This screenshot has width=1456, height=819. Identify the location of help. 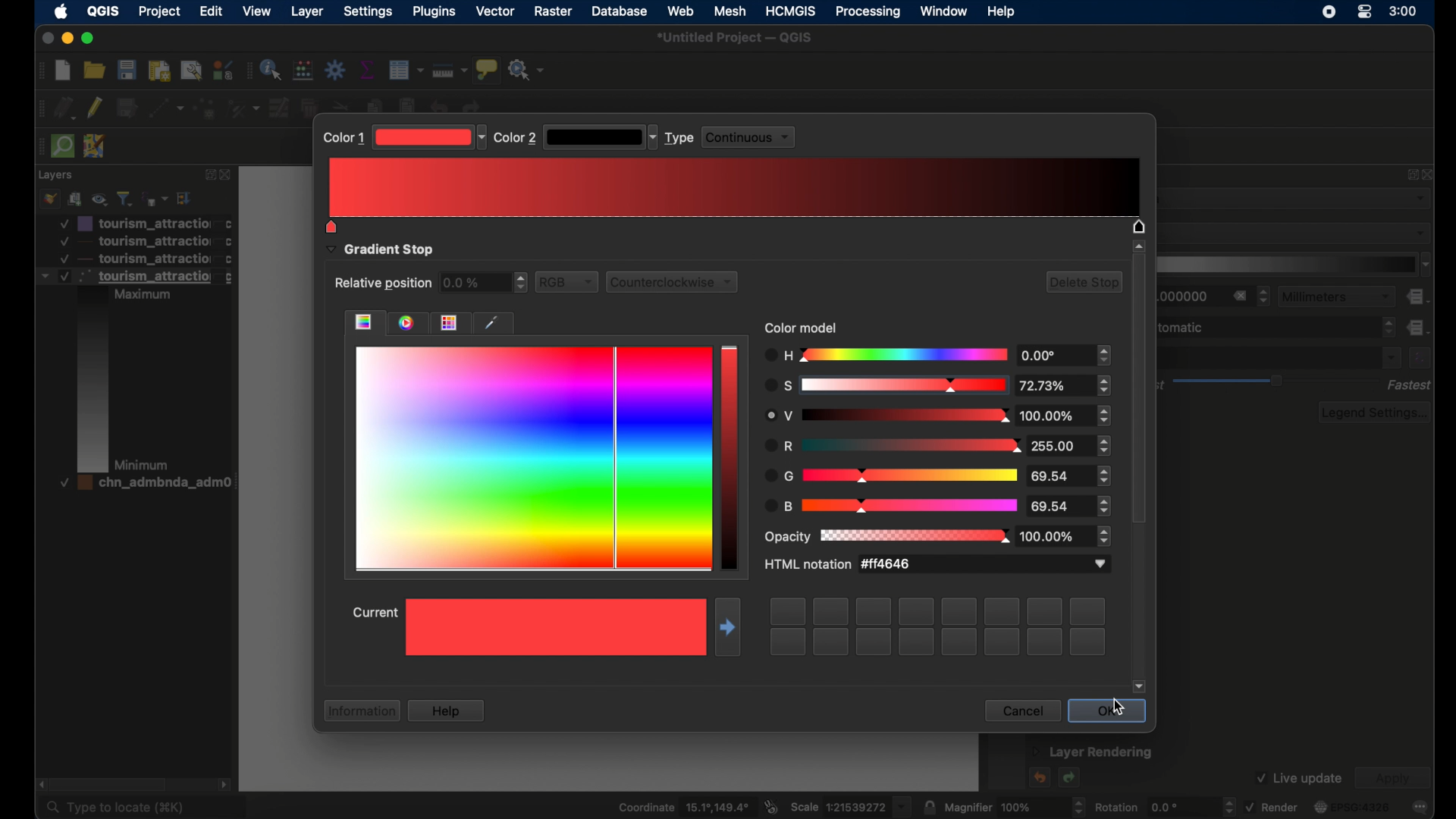
(1002, 12).